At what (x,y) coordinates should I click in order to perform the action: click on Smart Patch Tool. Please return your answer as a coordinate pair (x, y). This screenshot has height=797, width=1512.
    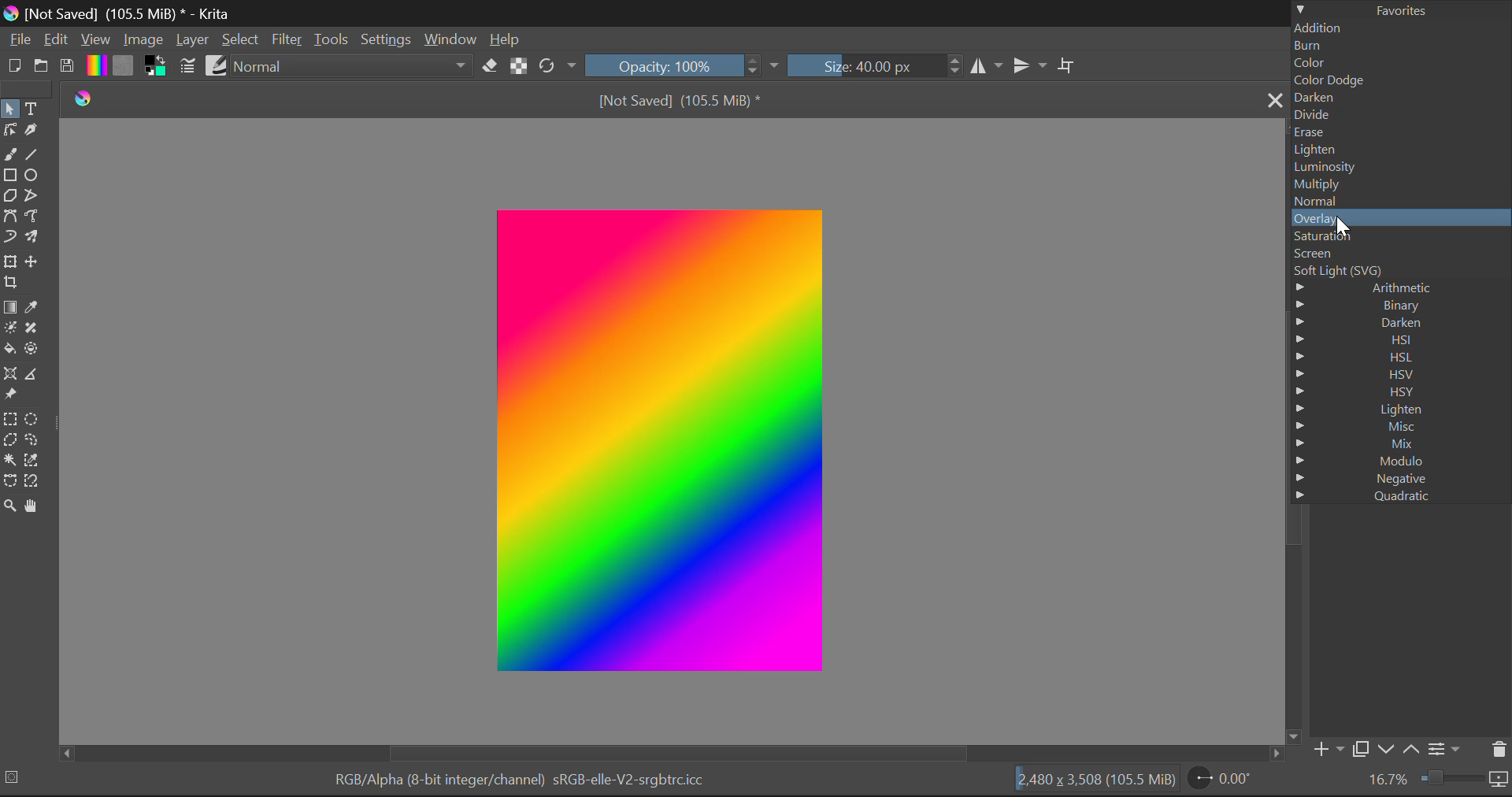
    Looking at the image, I should click on (31, 329).